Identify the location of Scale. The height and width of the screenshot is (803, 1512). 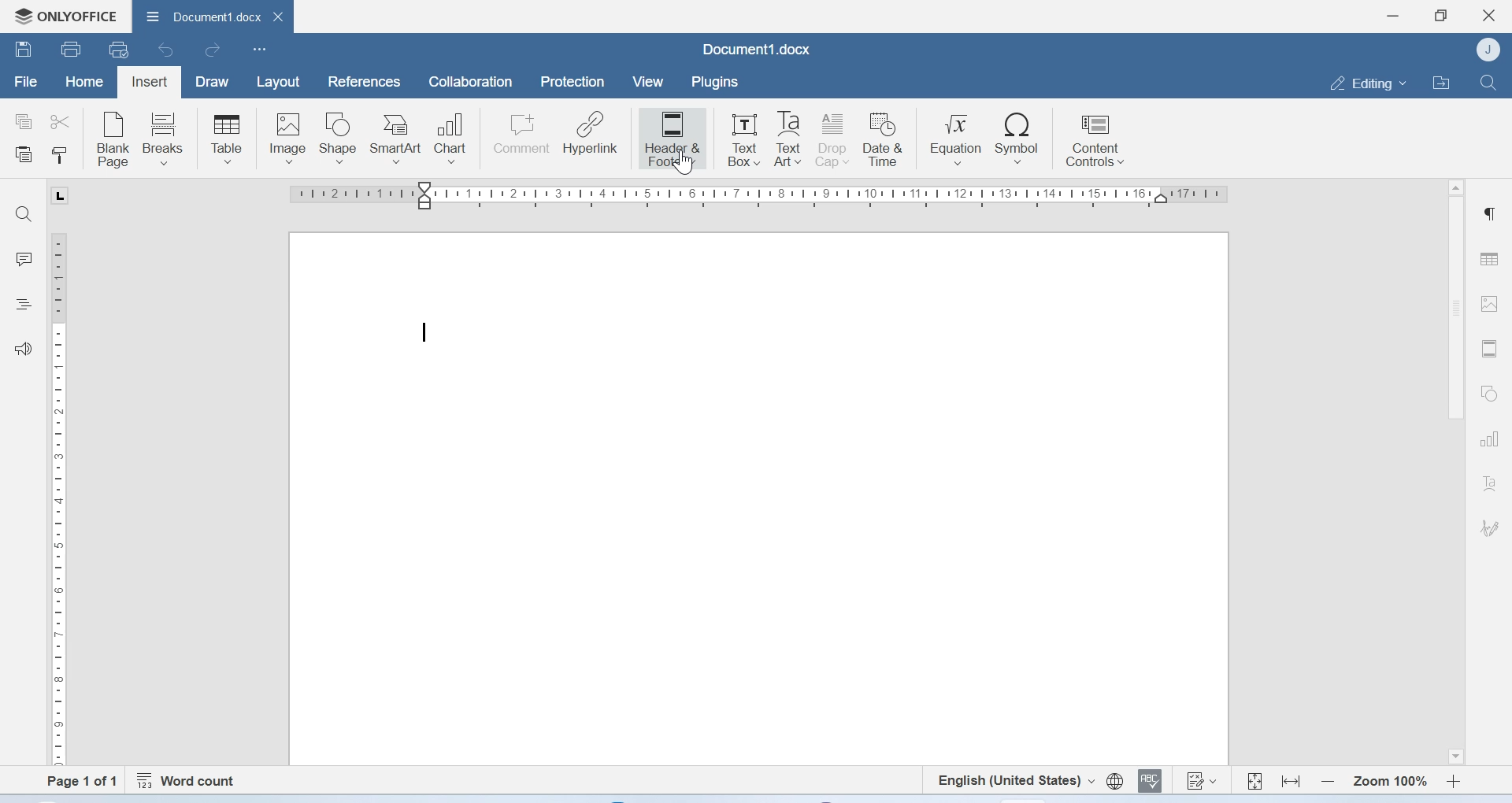
(762, 197).